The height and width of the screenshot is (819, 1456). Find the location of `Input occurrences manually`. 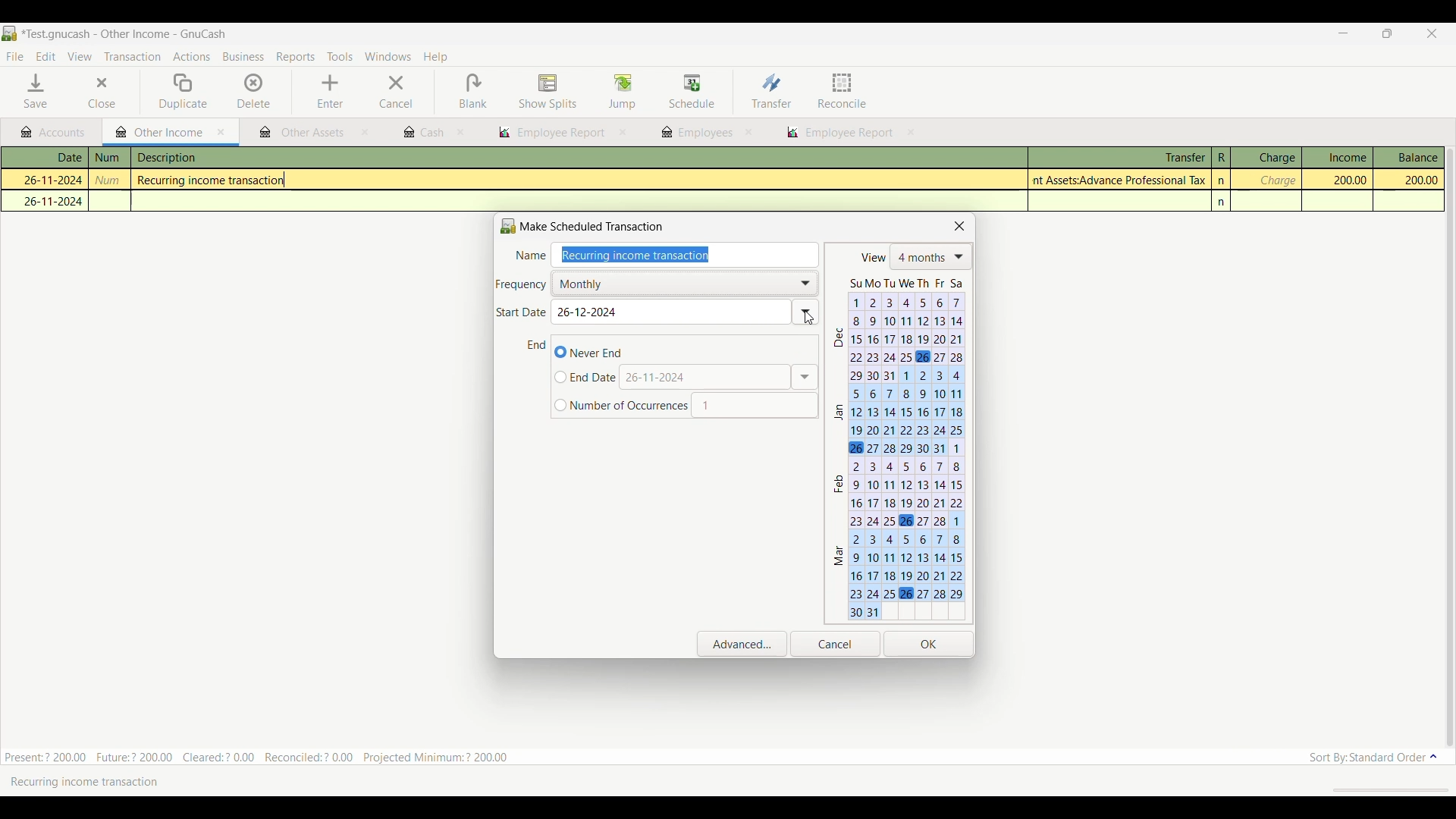

Input occurrences manually is located at coordinates (755, 405).